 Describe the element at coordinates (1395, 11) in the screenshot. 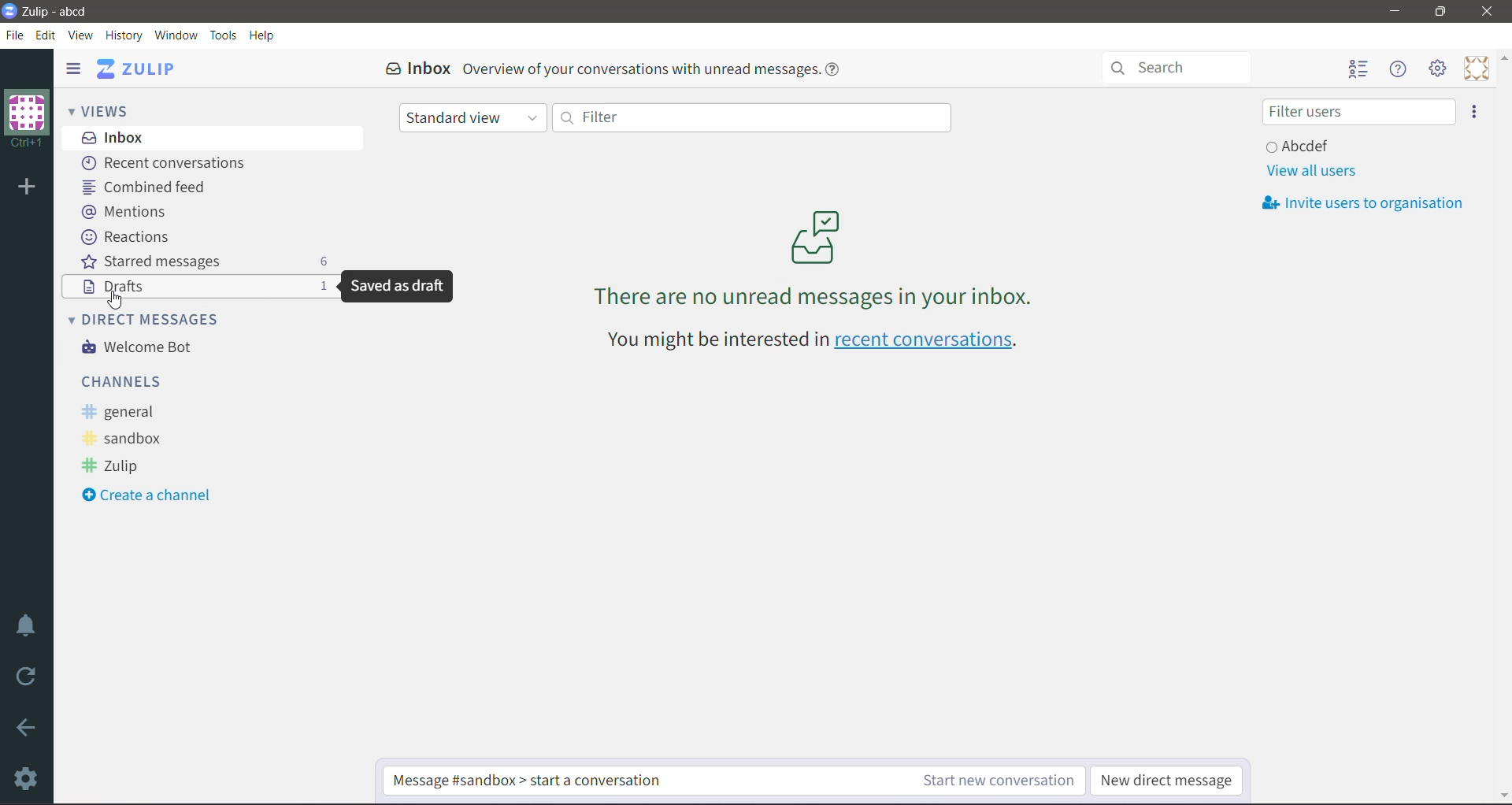

I see `Minimize` at that location.